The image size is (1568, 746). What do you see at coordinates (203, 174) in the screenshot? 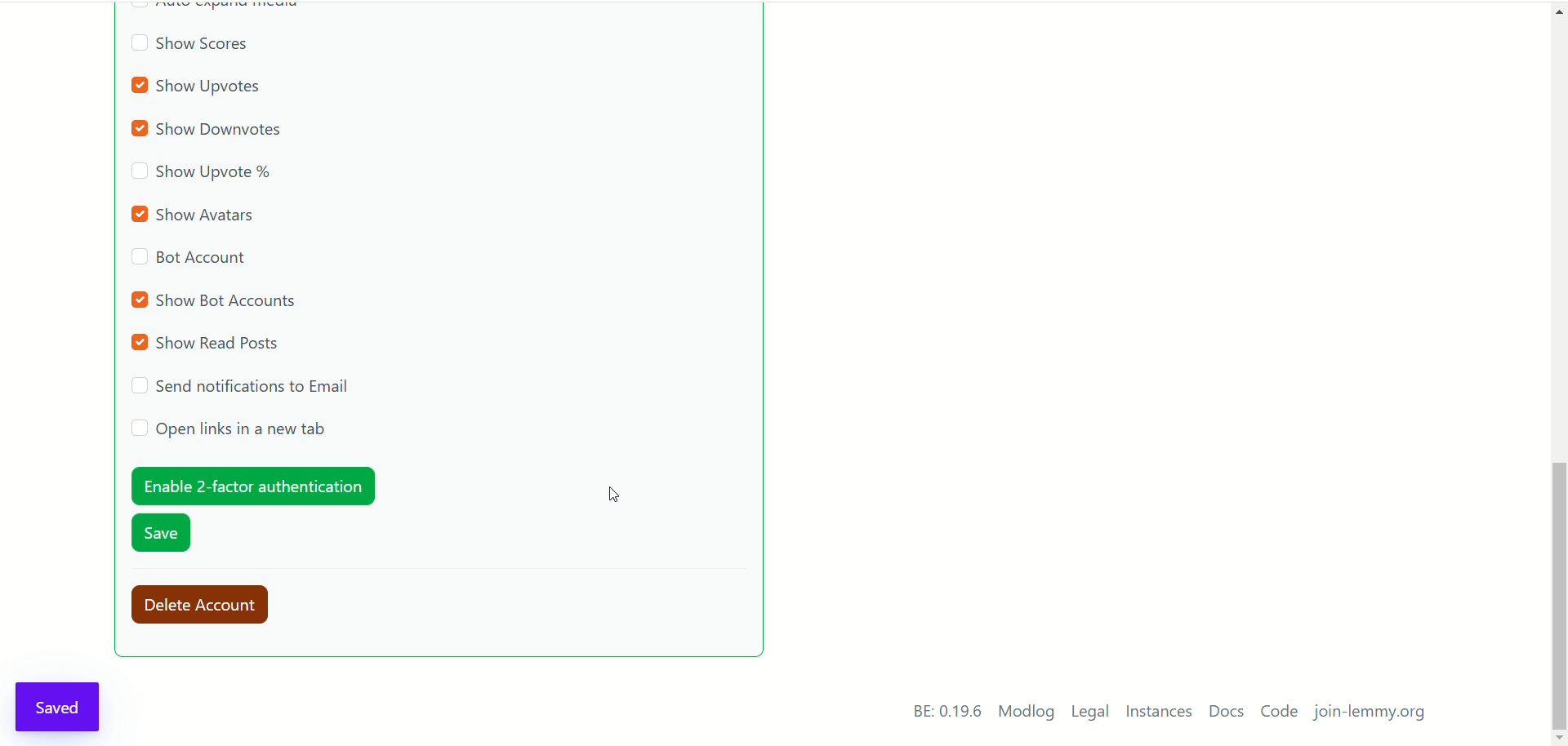
I see `show upvote` at bounding box center [203, 174].